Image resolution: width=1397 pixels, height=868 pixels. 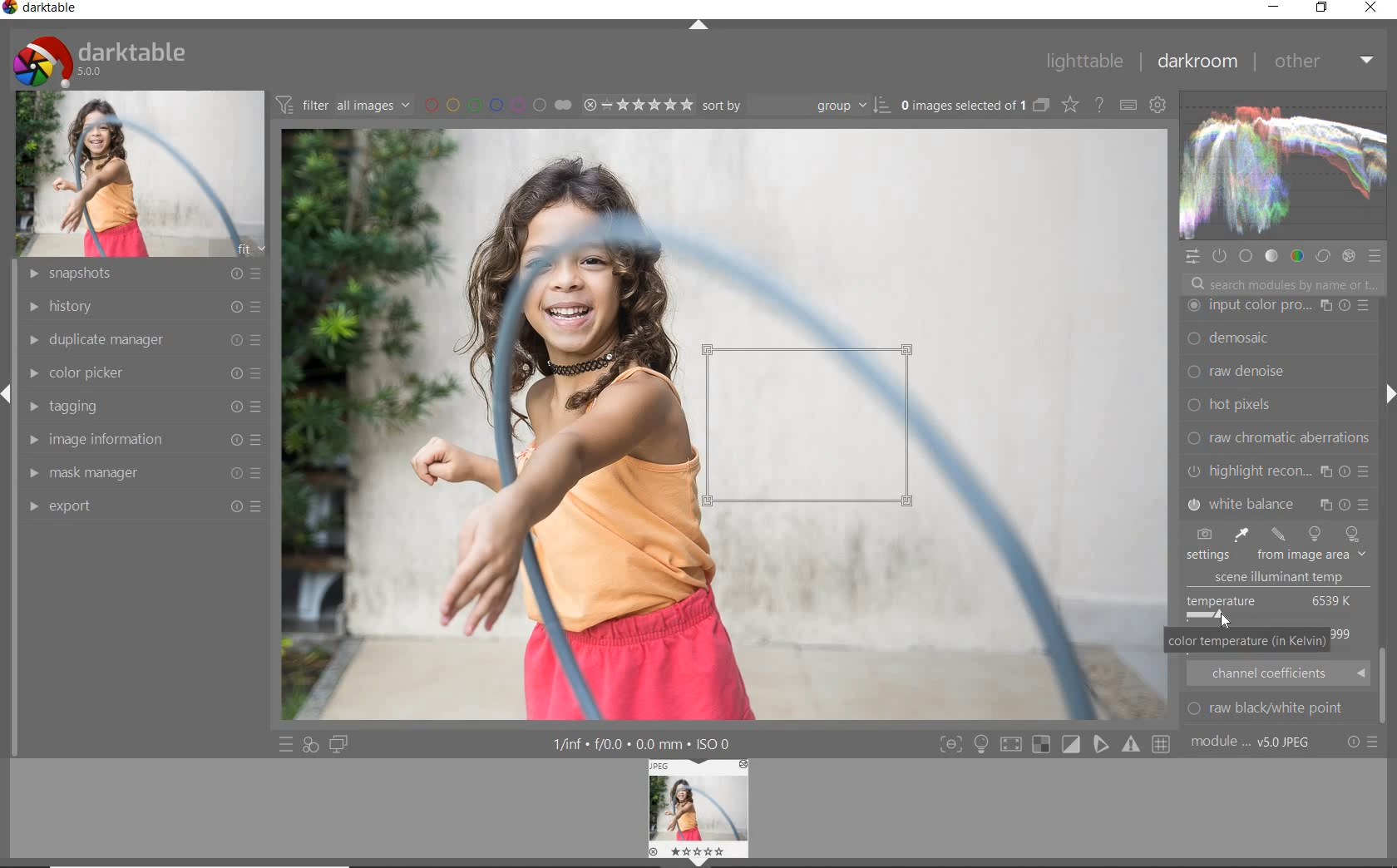 What do you see at coordinates (1296, 255) in the screenshot?
I see `color` at bounding box center [1296, 255].